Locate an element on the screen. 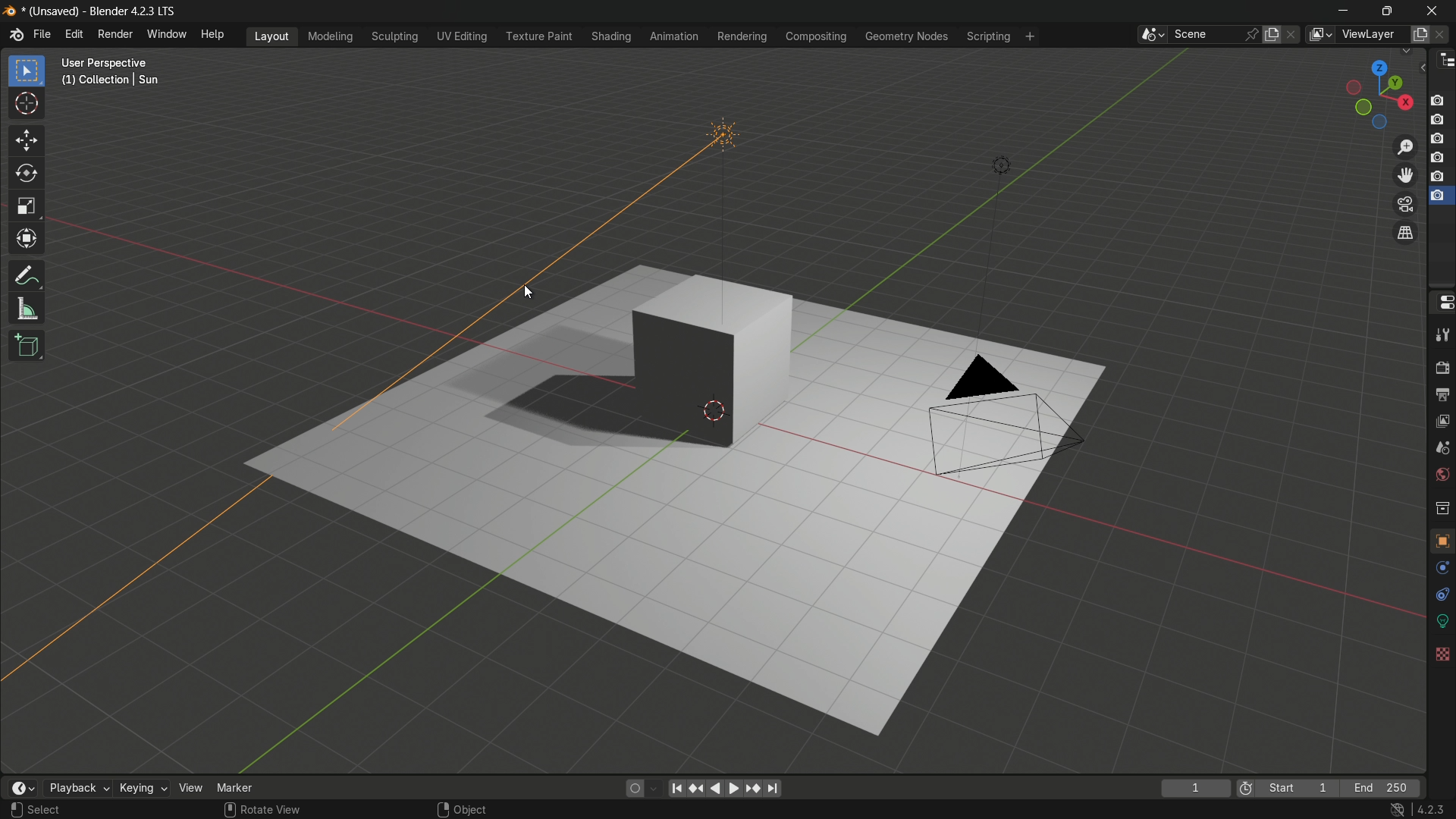 This screenshot has height=819, width=1456. Sunlight rotated  is located at coordinates (644, 189).